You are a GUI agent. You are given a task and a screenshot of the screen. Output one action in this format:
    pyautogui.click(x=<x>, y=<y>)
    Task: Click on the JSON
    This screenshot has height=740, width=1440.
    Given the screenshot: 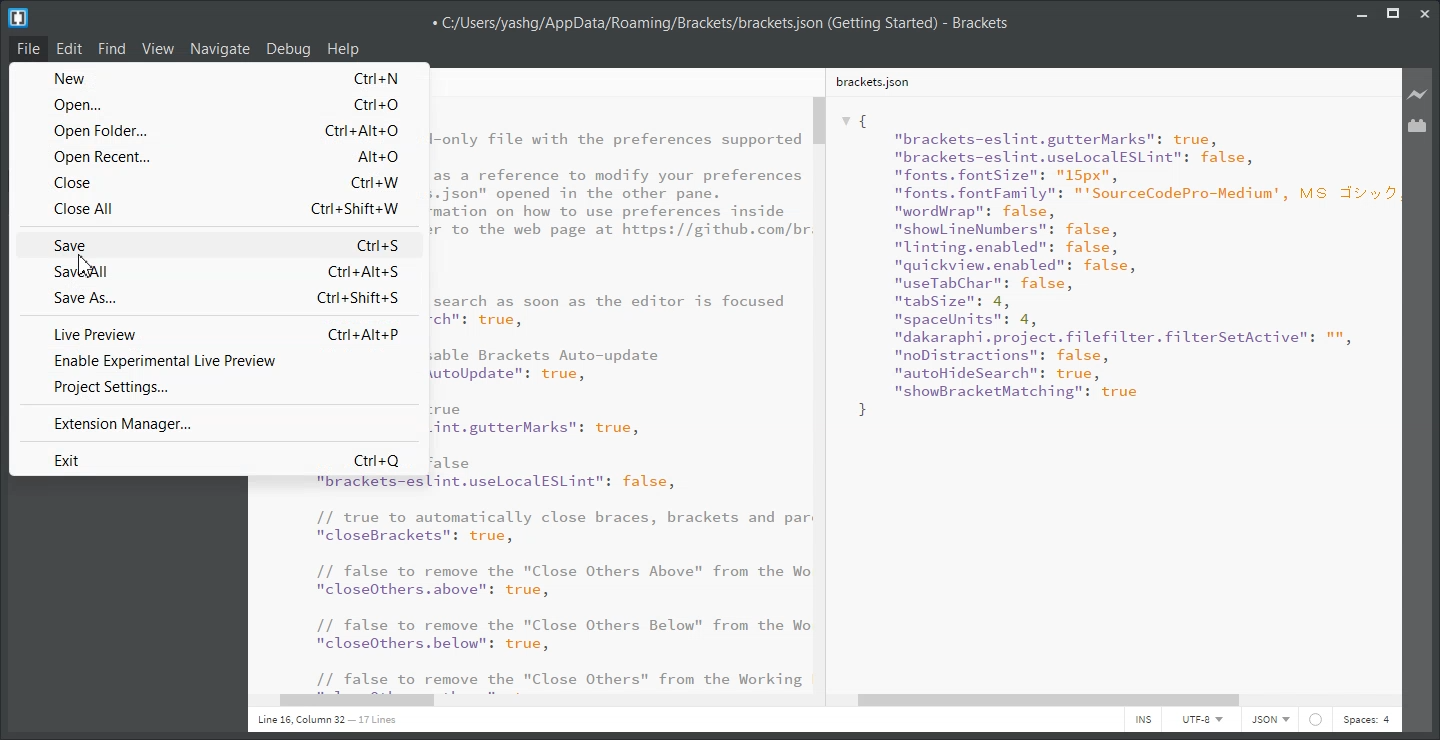 What is the action you would take?
    pyautogui.click(x=1271, y=720)
    